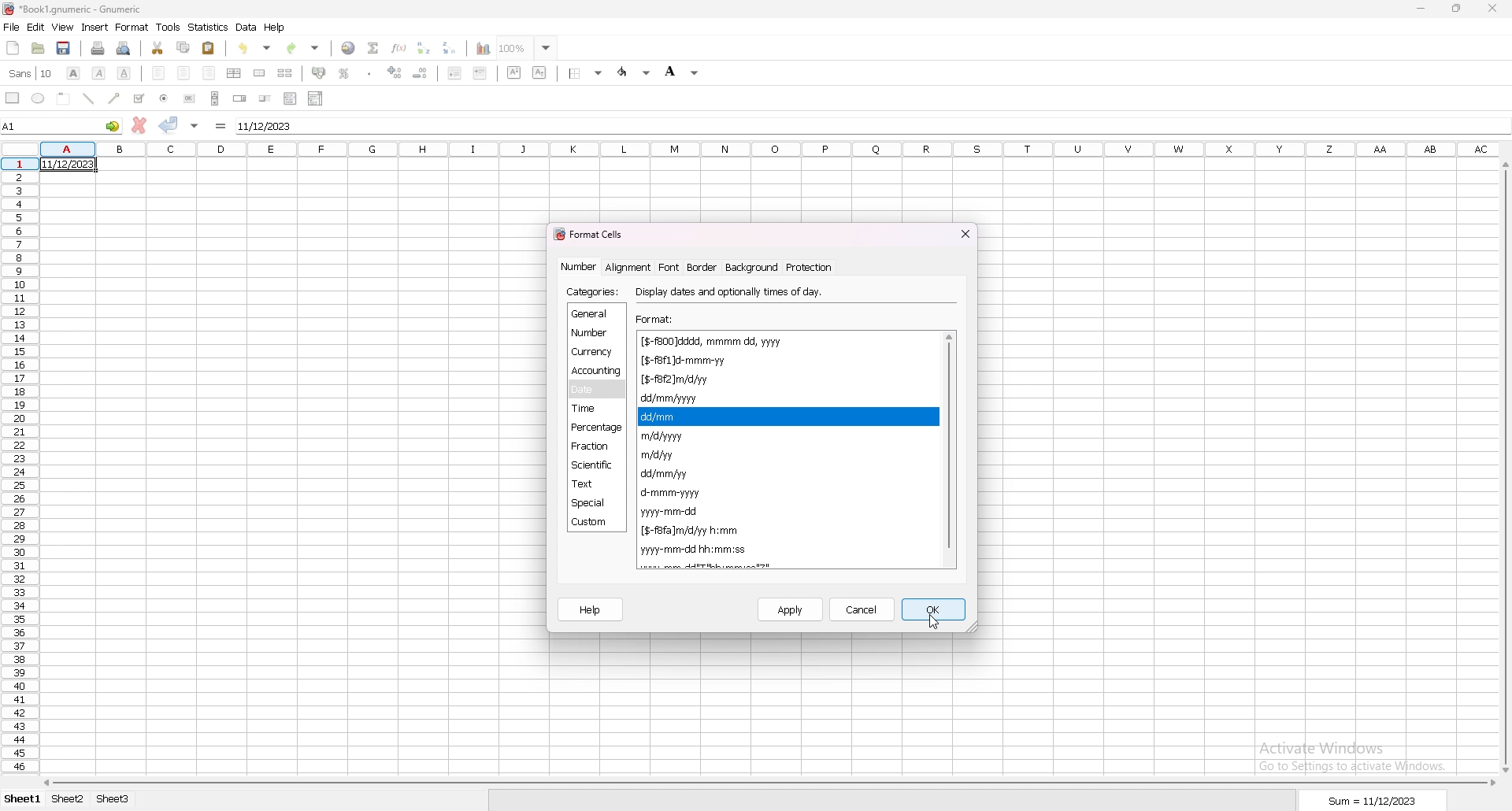  What do you see at coordinates (1376, 801) in the screenshot?
I see `sum` at bounding box center [1376, 801].